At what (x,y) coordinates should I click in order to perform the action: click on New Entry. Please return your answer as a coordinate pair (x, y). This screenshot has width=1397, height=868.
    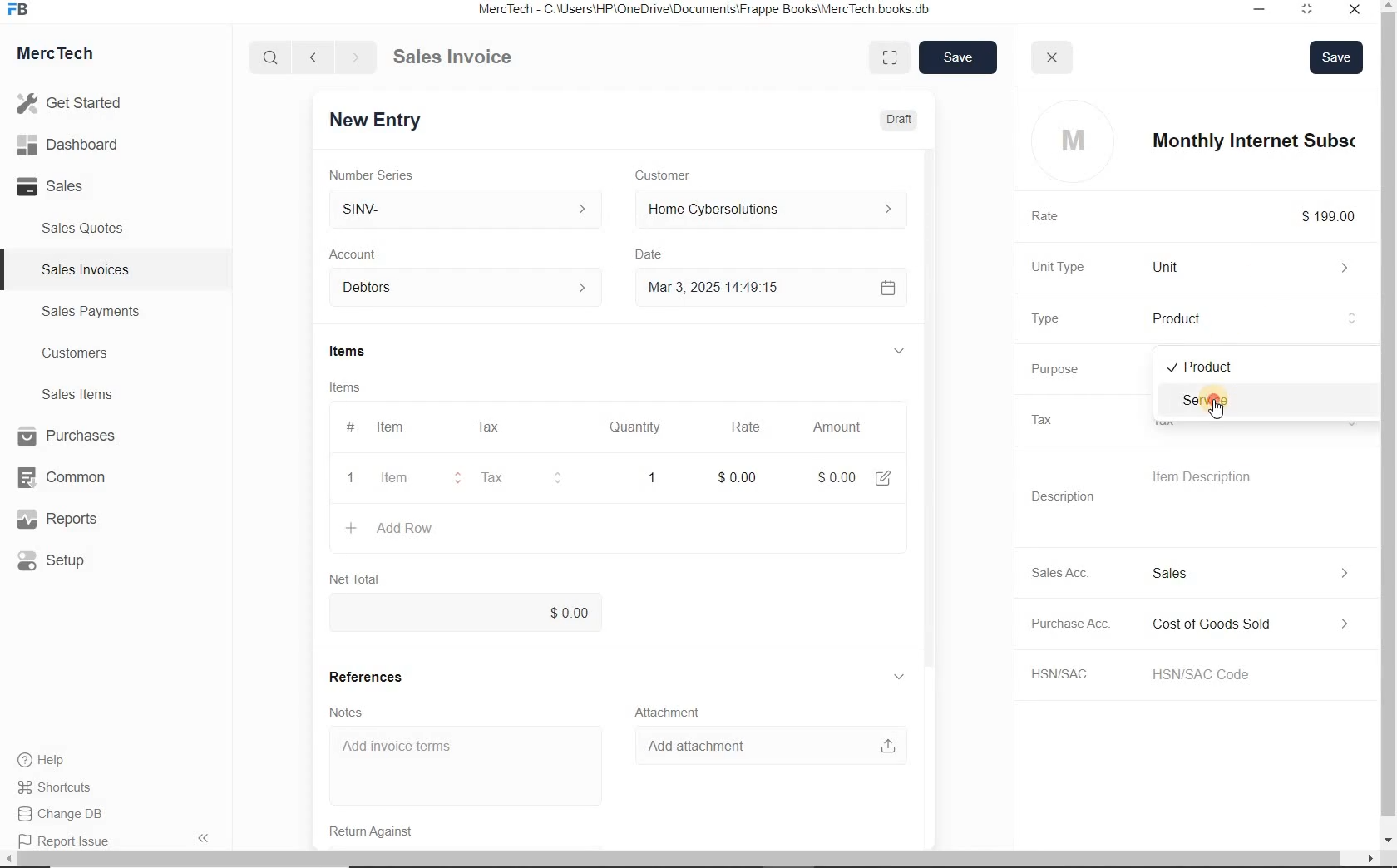
    Looking at the image, I should click on (389, 119).